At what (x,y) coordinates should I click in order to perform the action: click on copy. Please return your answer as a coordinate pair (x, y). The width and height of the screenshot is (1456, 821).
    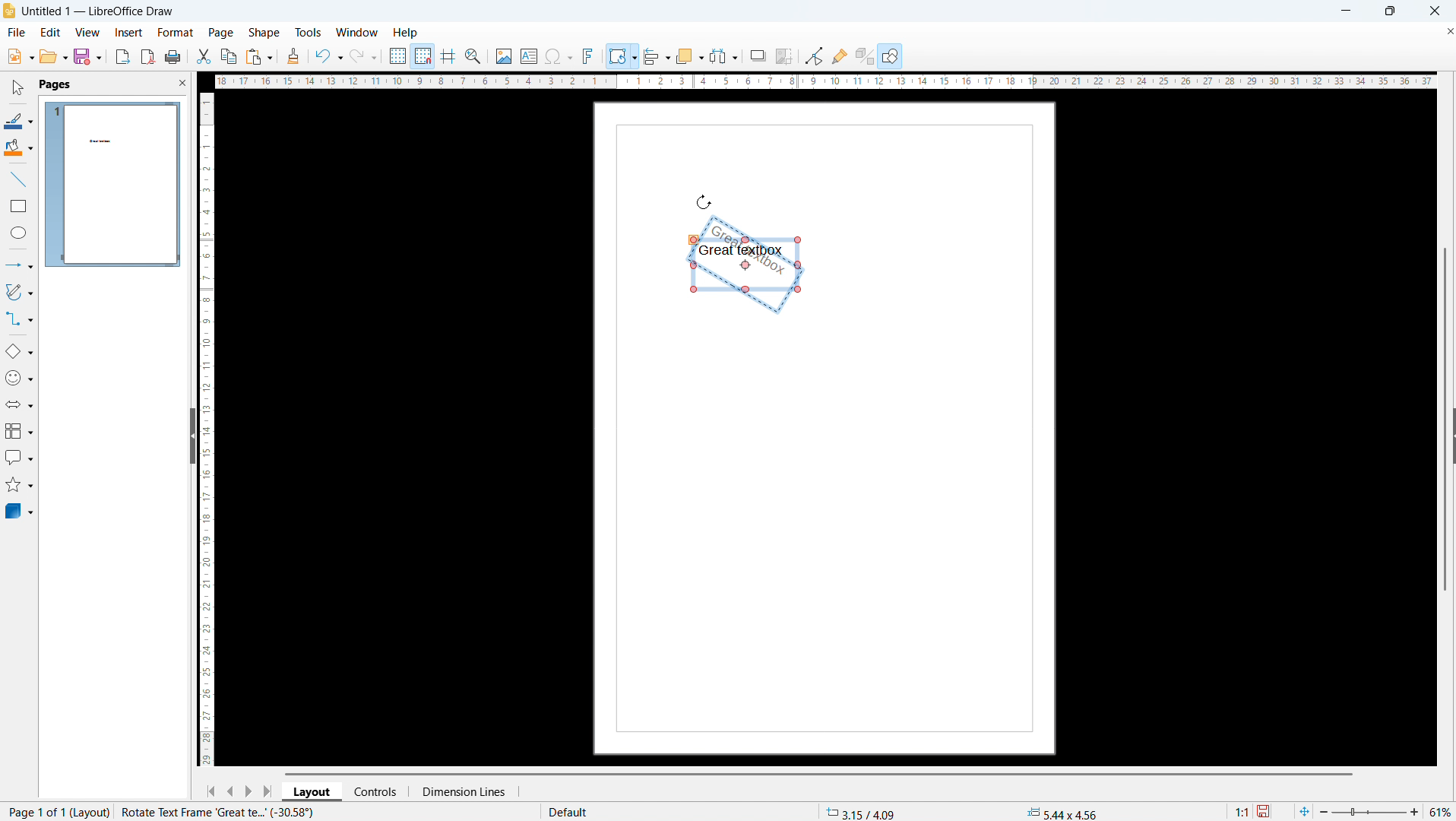
    Looking at the image, I should click on (228, 55).